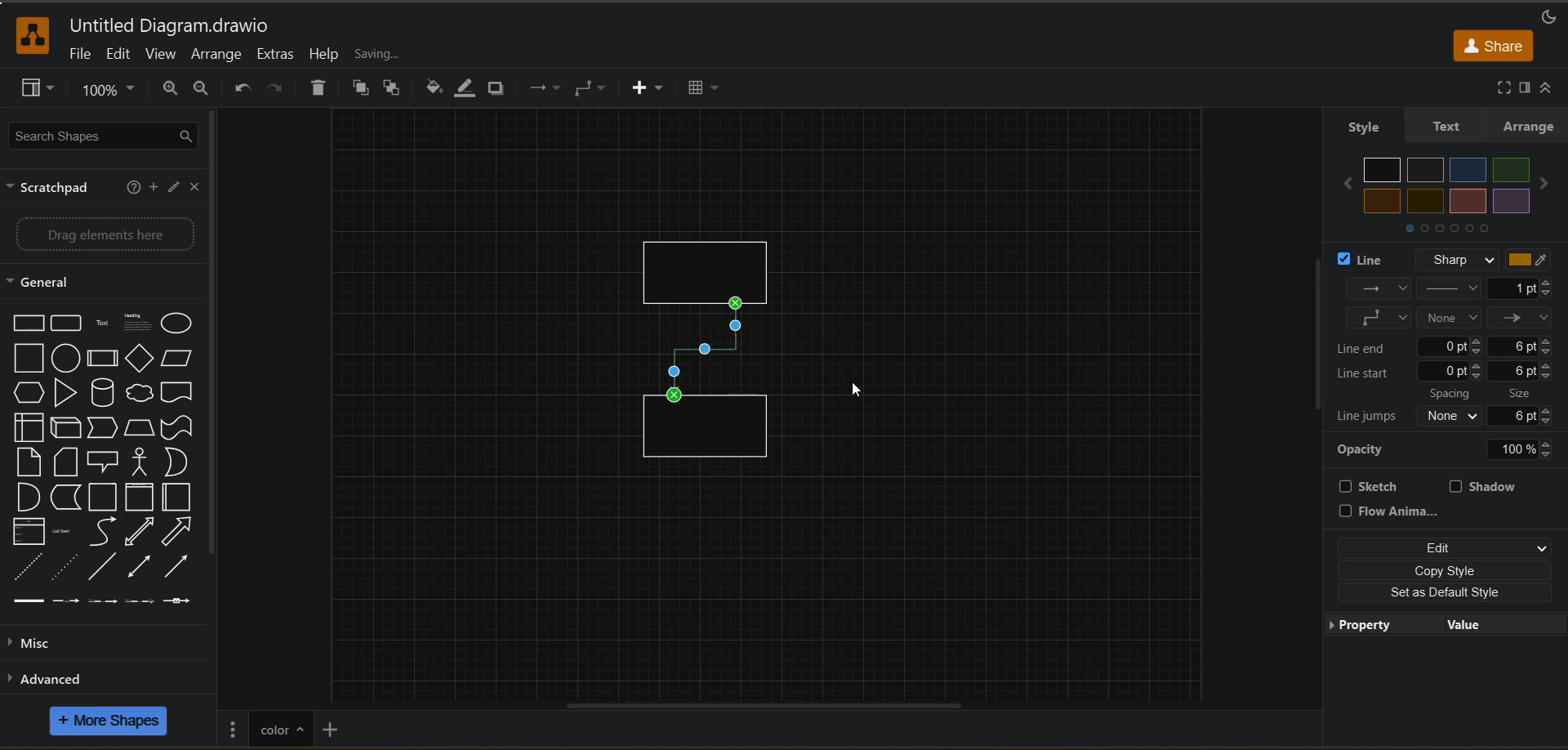  I want to click on Arrow, so click(182, 567).